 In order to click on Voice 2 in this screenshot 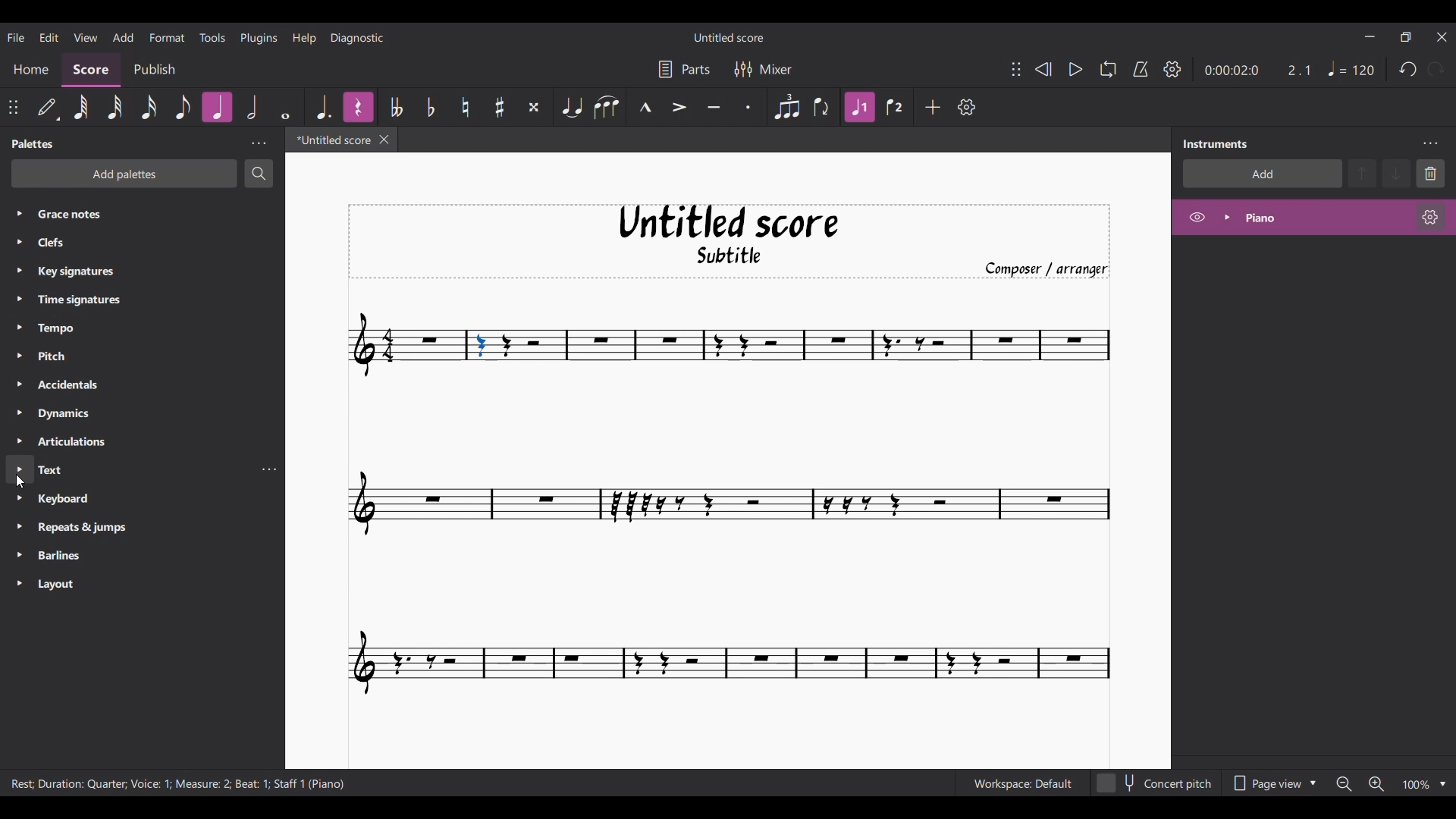, I will do `click(894, 107)`.